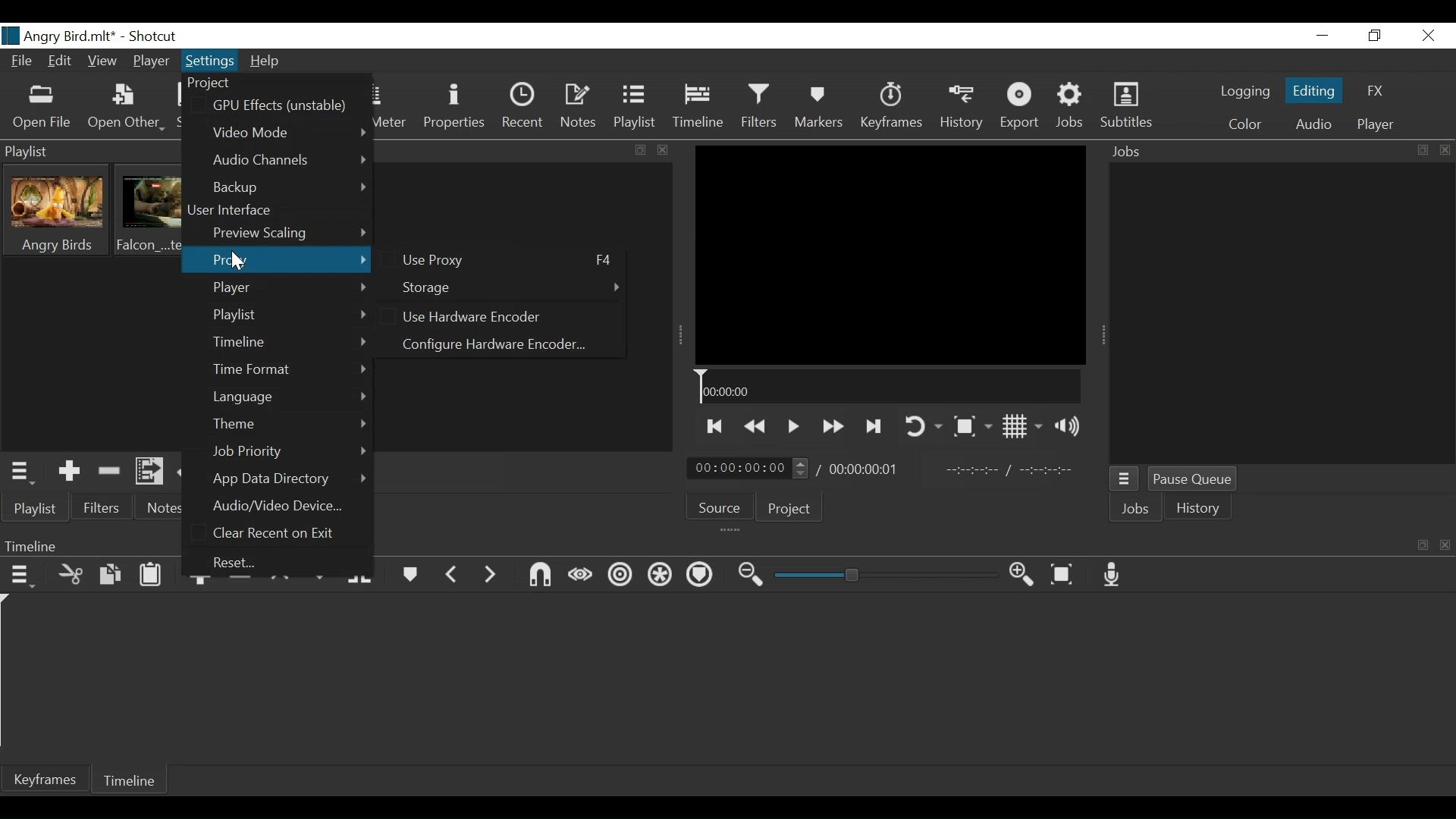 The image size is (1456, 819). What do you see at coordinates (279, 261) in the screenshot?
I see `Proxy` at bounding box center [279, 261].